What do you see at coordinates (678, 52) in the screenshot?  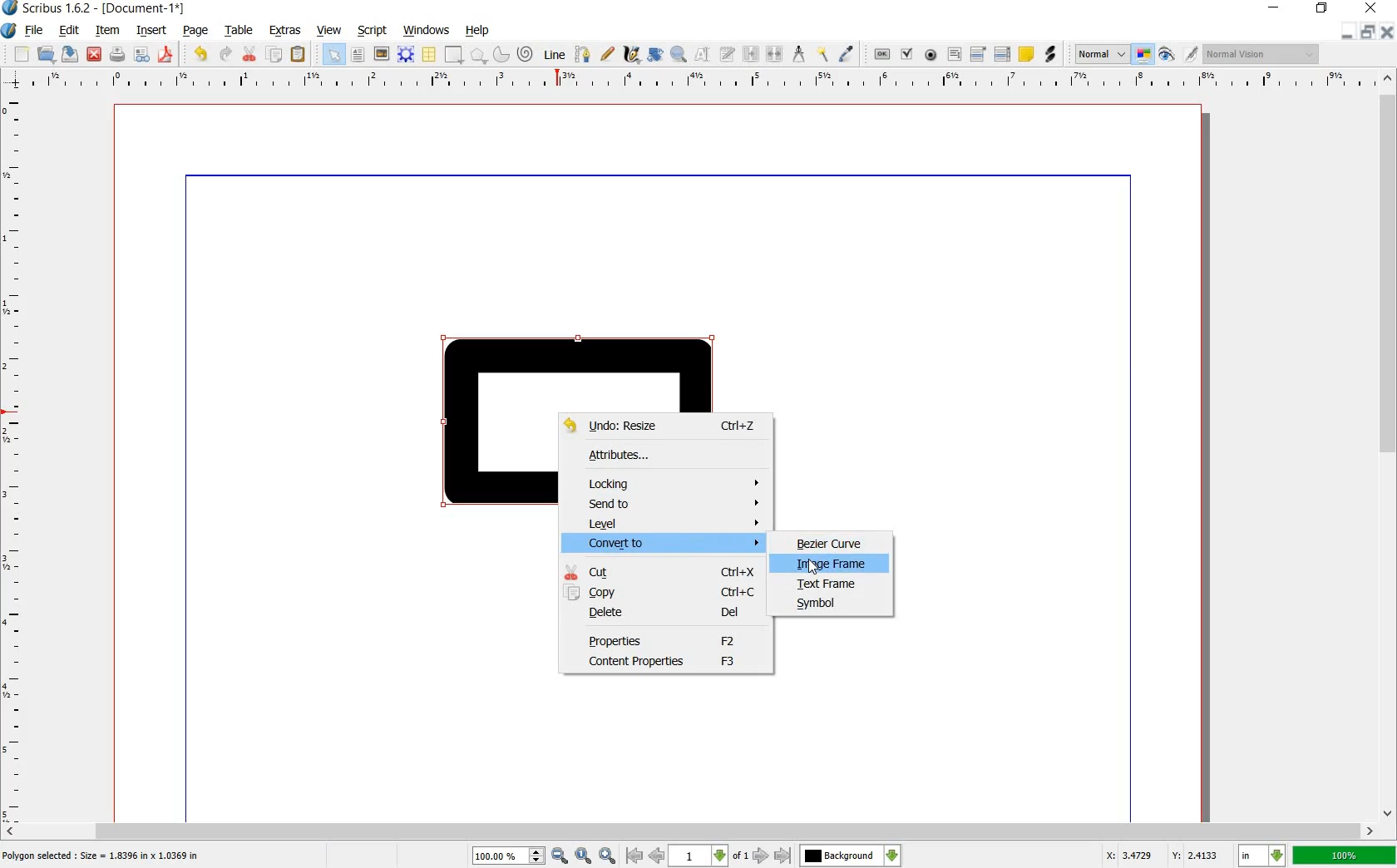 I see `zoom in or out` at bounding box center [678, 52].